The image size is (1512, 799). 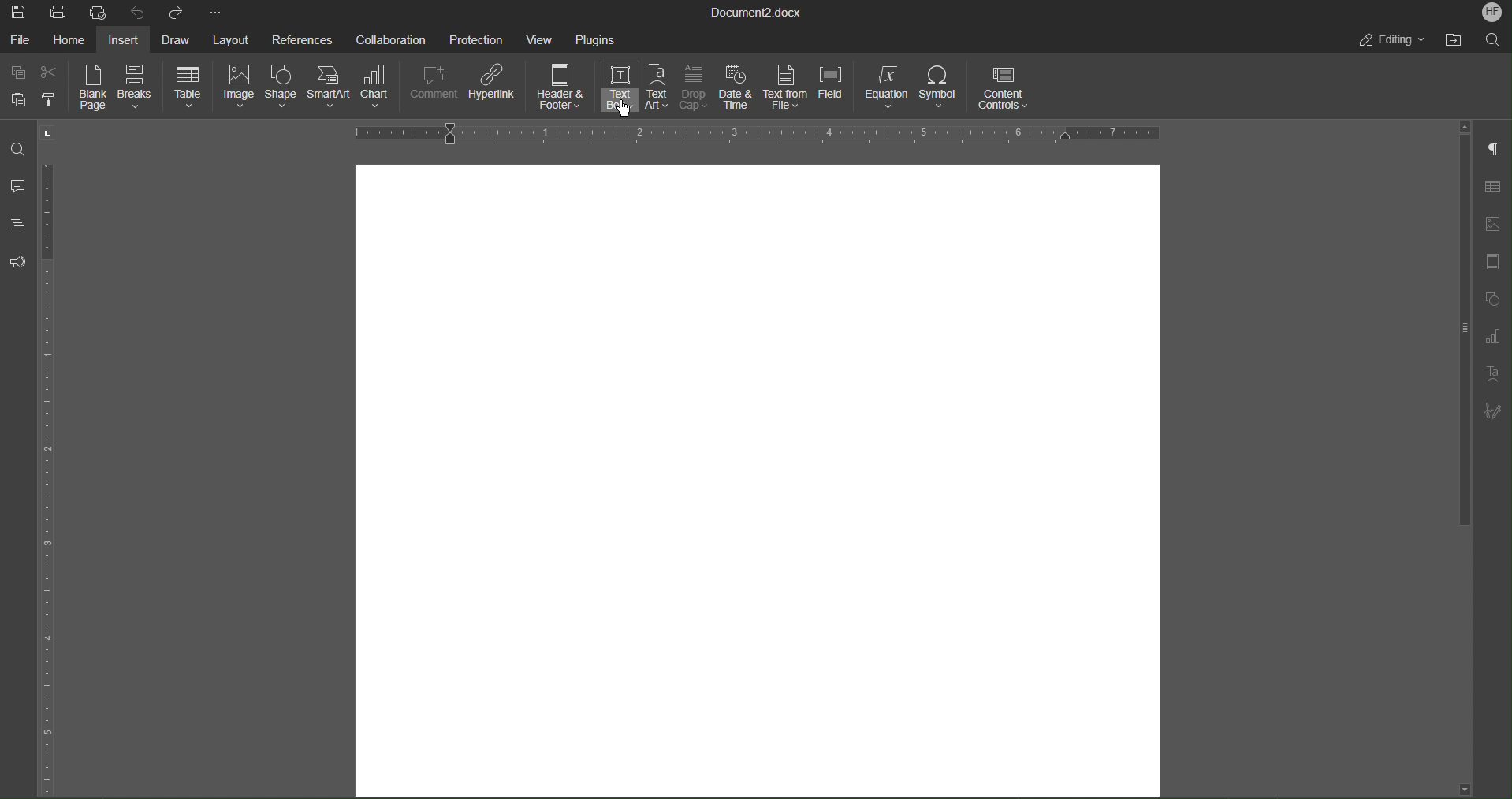 I want to click on Headings, so click(x=16, y=224).